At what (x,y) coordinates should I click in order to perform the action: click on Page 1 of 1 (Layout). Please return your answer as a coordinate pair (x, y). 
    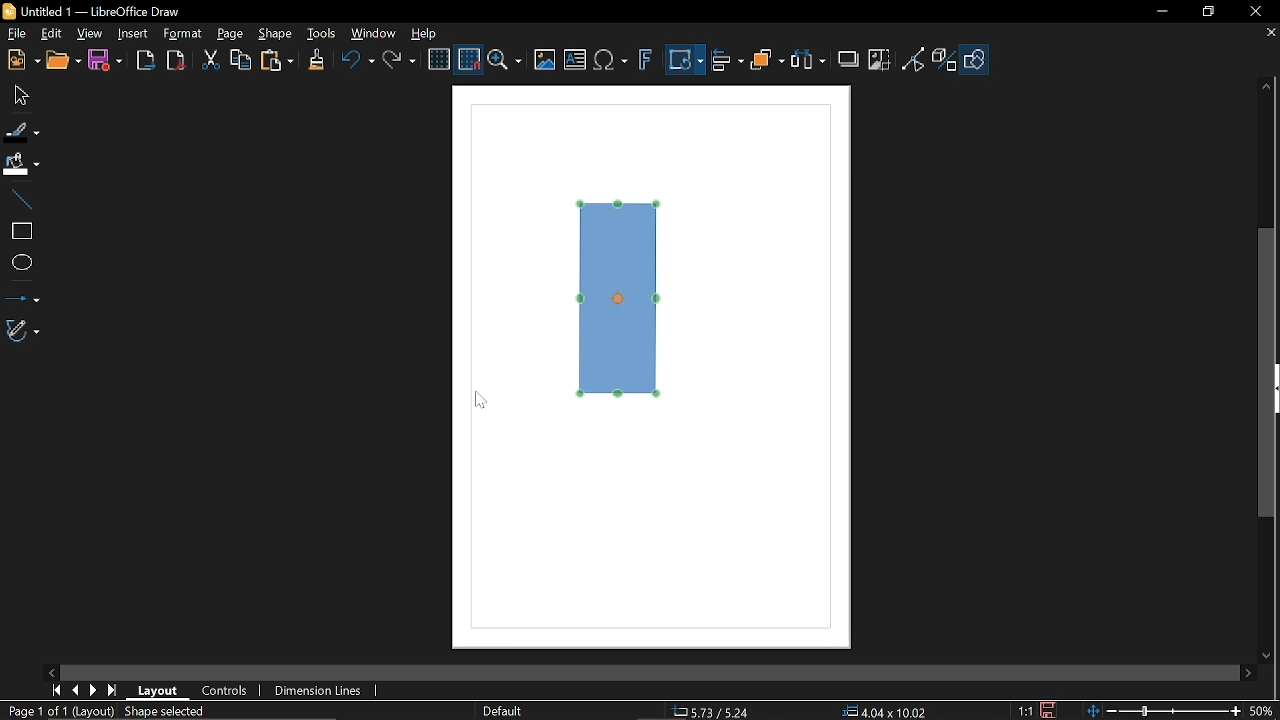
    Looking at the image, I should click on (60, 712).